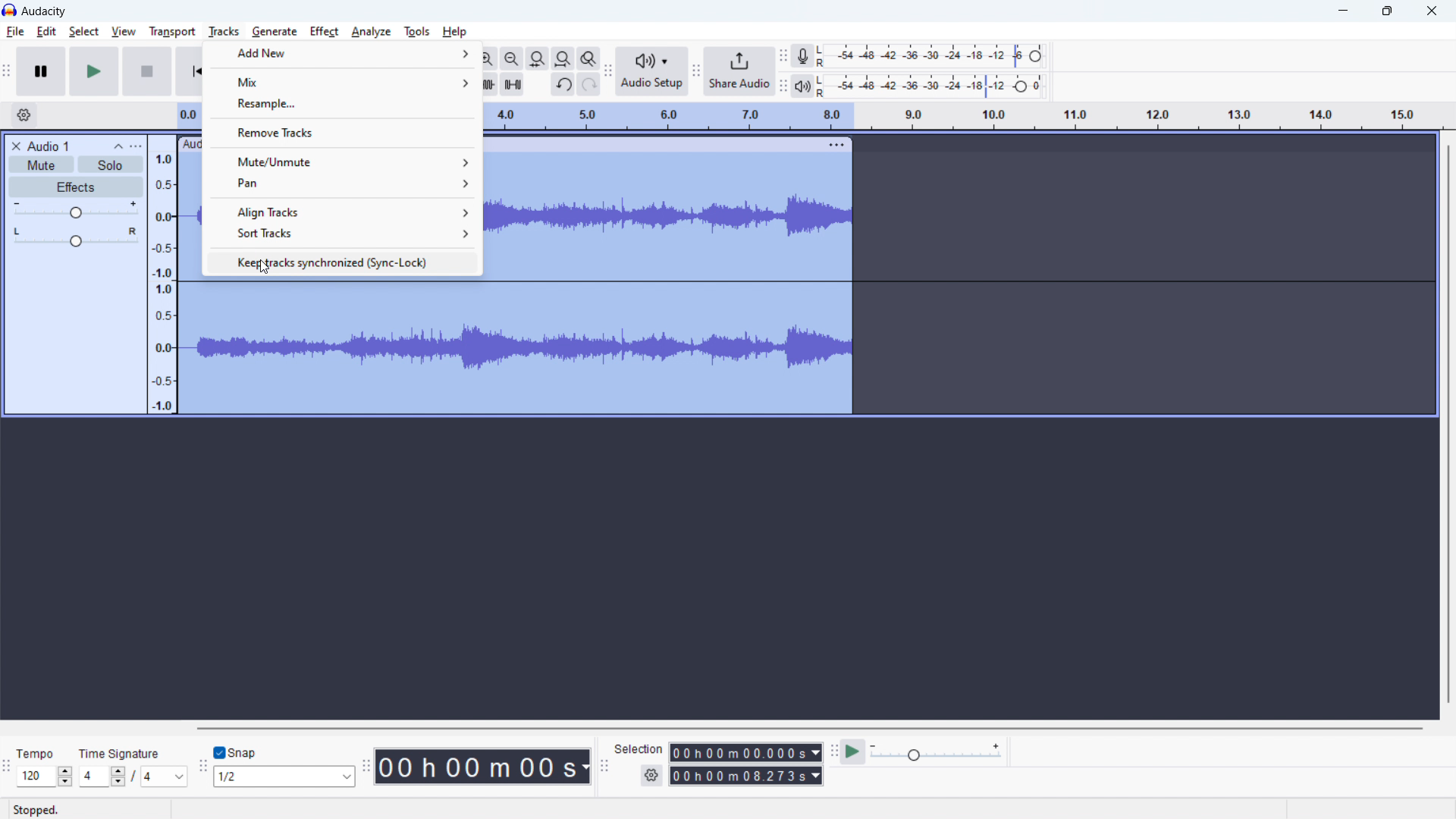  Describe the element at coordinates (337, 347) in the screenshot. I see `Track selected` at that location.